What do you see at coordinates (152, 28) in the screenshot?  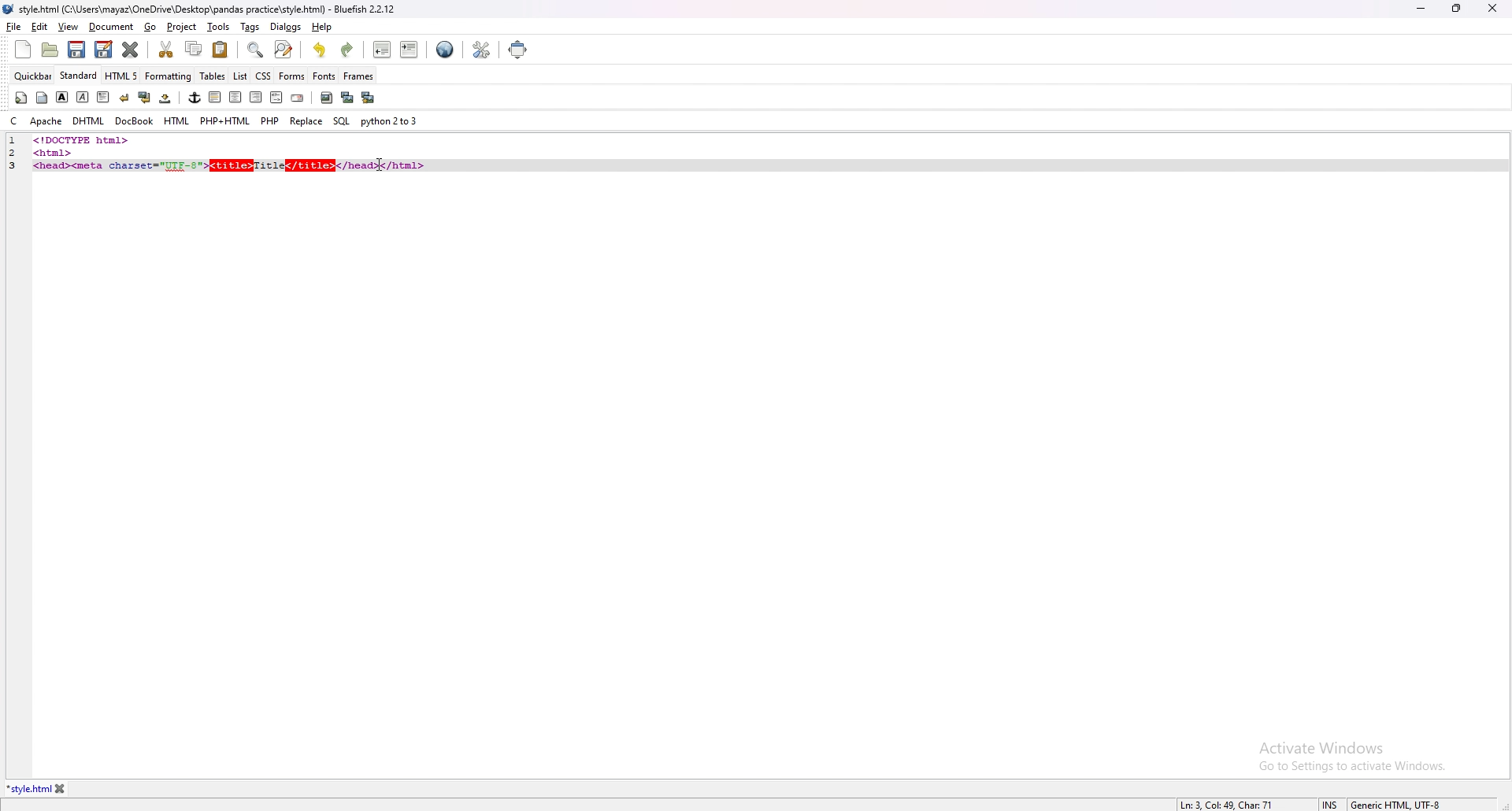 I see `go` at bounding box center [152, 28].